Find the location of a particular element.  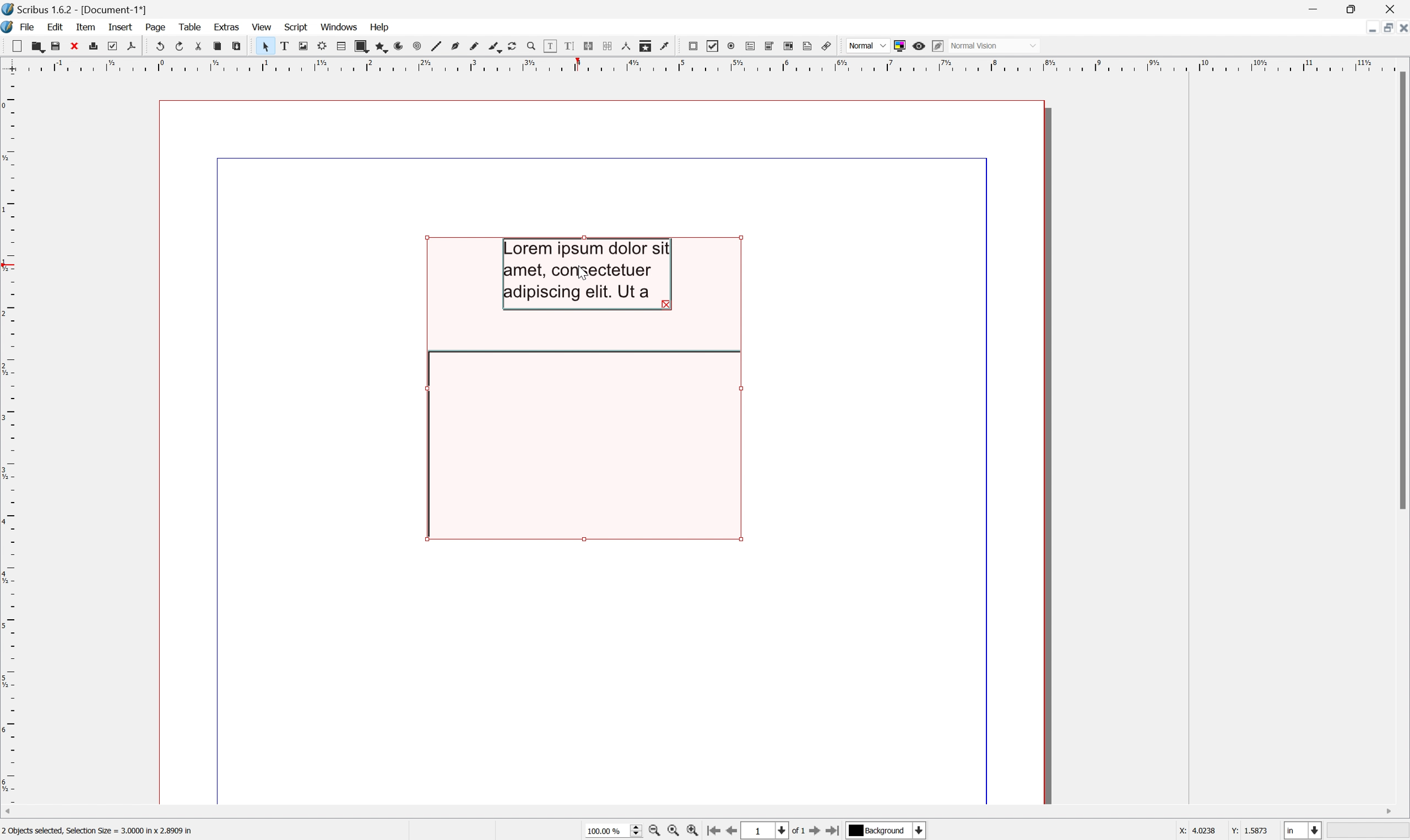

Zoom in by the stepping value in tools preferences is located at coordinates (698, 831).